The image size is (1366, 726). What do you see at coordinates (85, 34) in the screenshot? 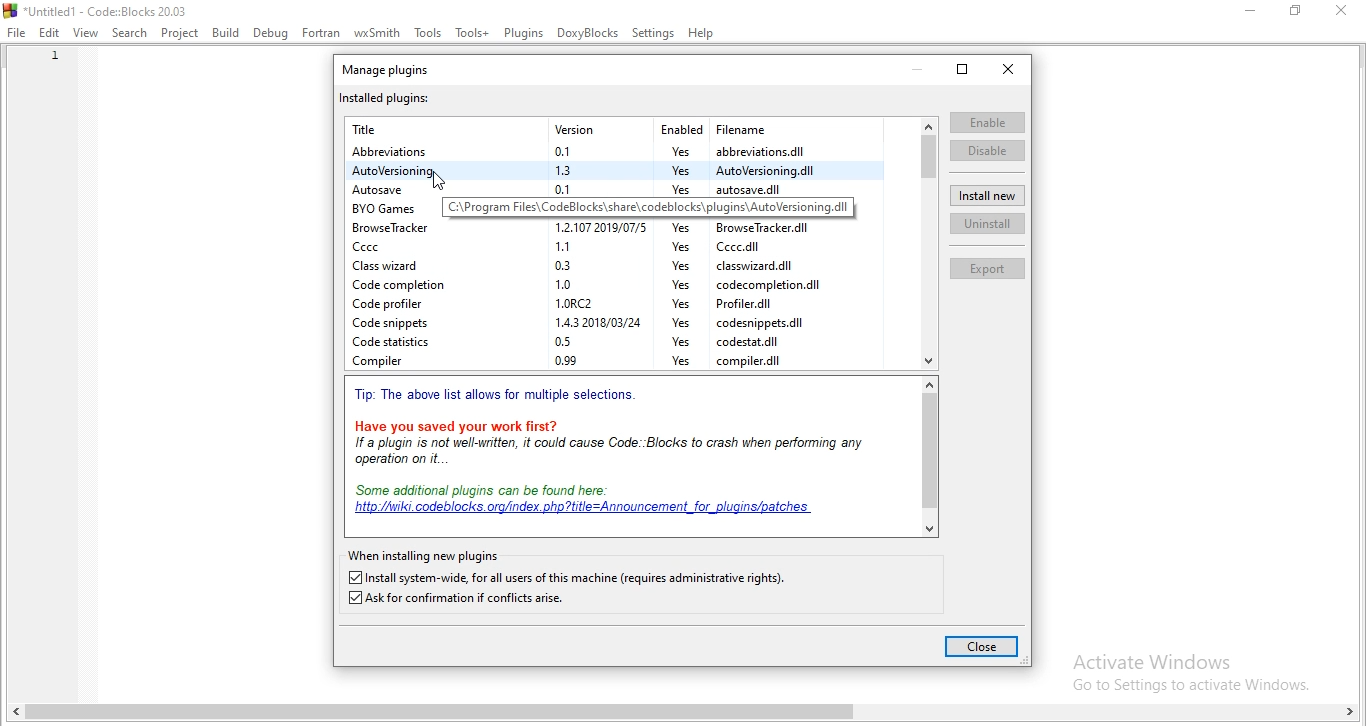
I see `View` at bounding box center [85, 34].